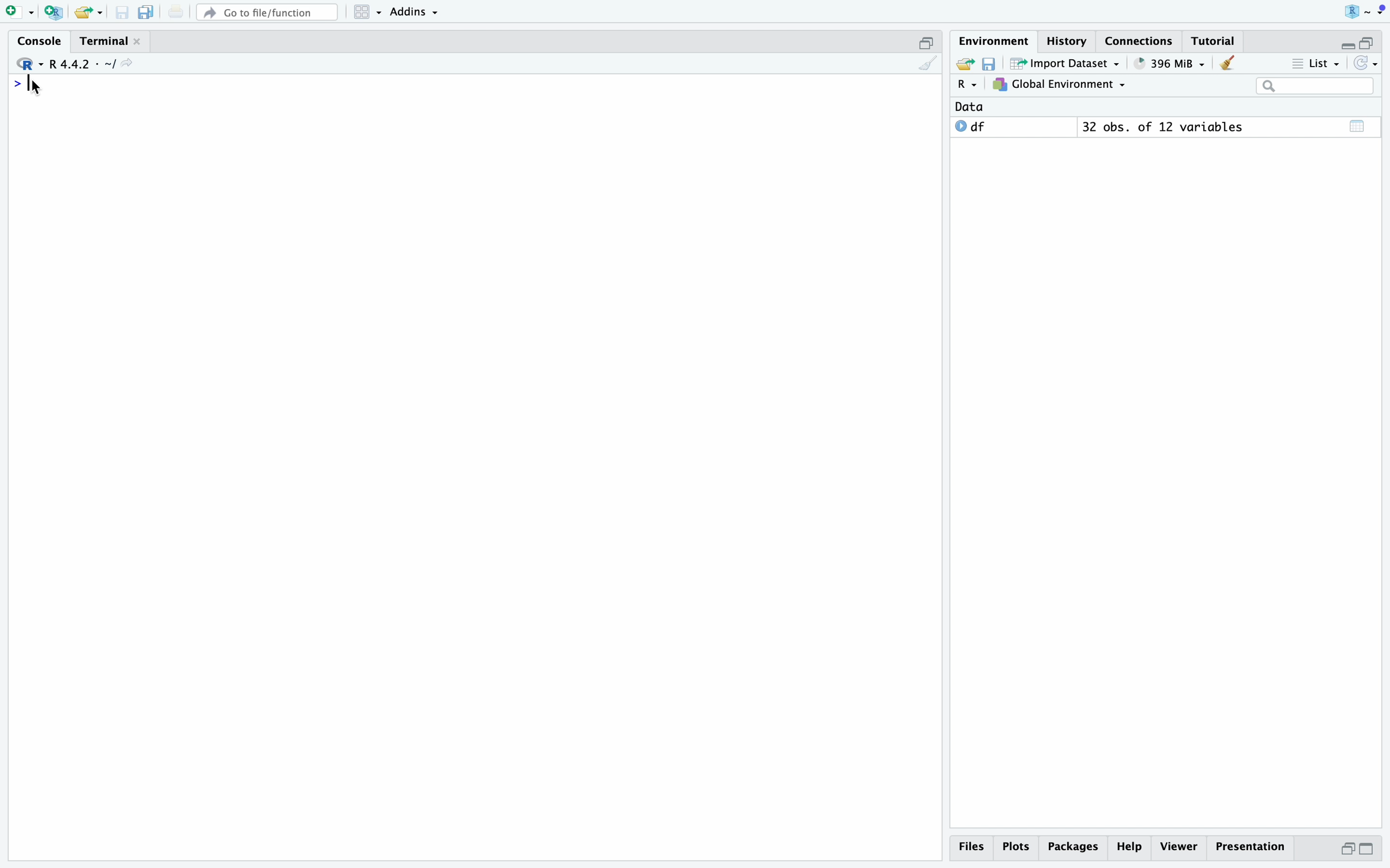  I want to click on files, so click(972, 848).